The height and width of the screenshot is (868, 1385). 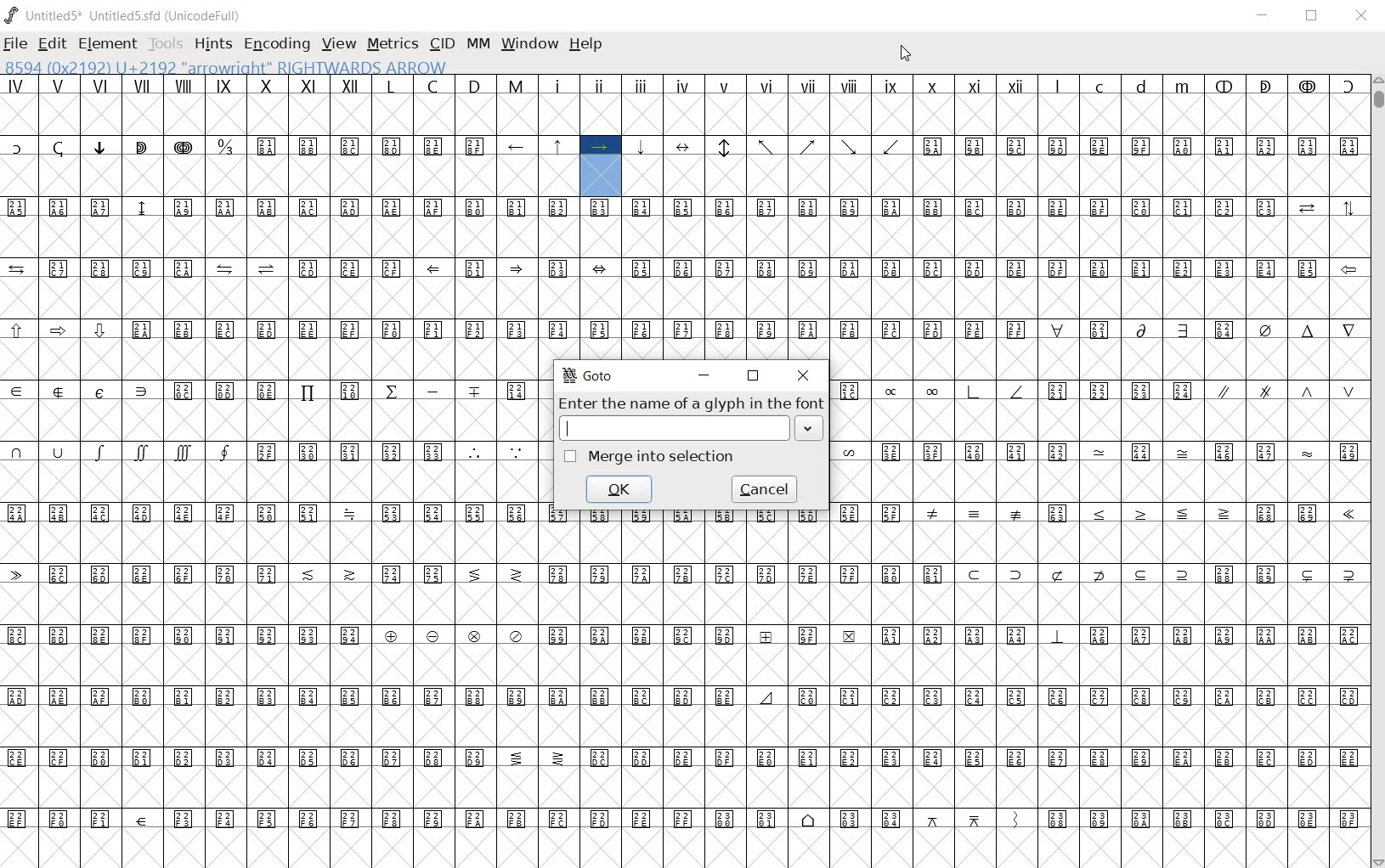 I want to click on Glyph characters, so click(x=1098, y=471).